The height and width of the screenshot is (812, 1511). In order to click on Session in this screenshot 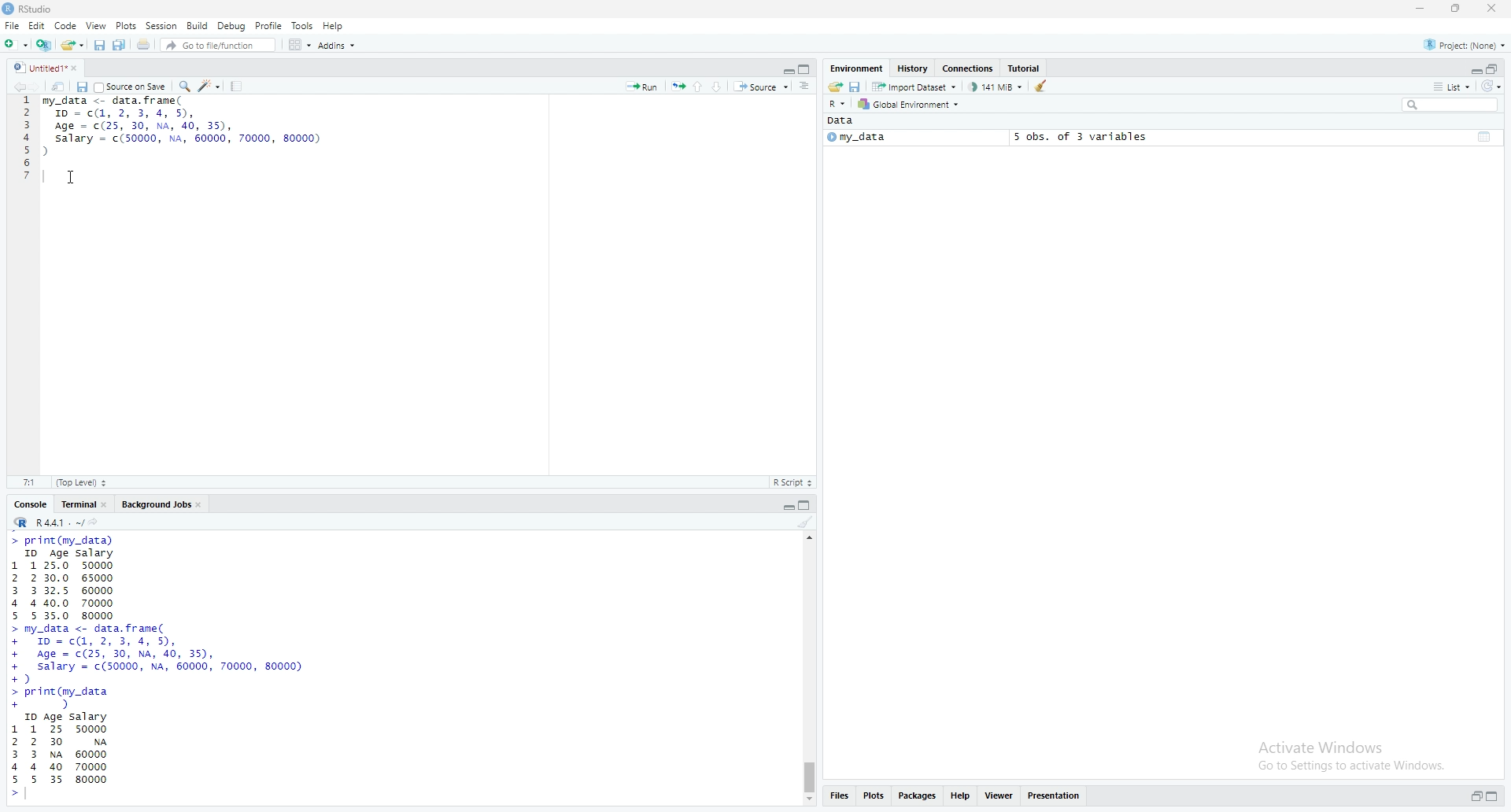, I will do `click(163, 25)`.